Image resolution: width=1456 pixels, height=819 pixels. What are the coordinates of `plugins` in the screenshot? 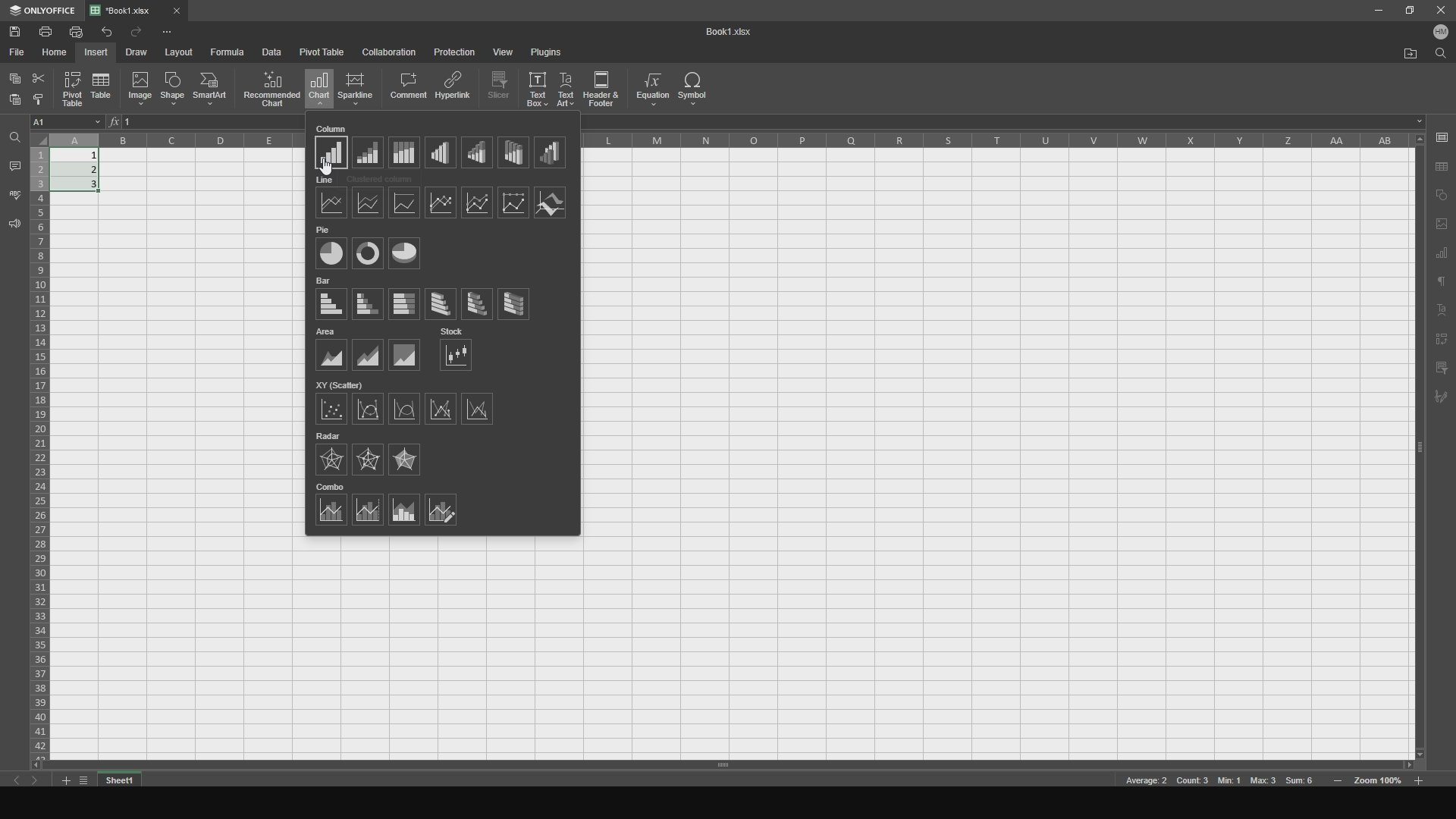 It's located at (551, 52).